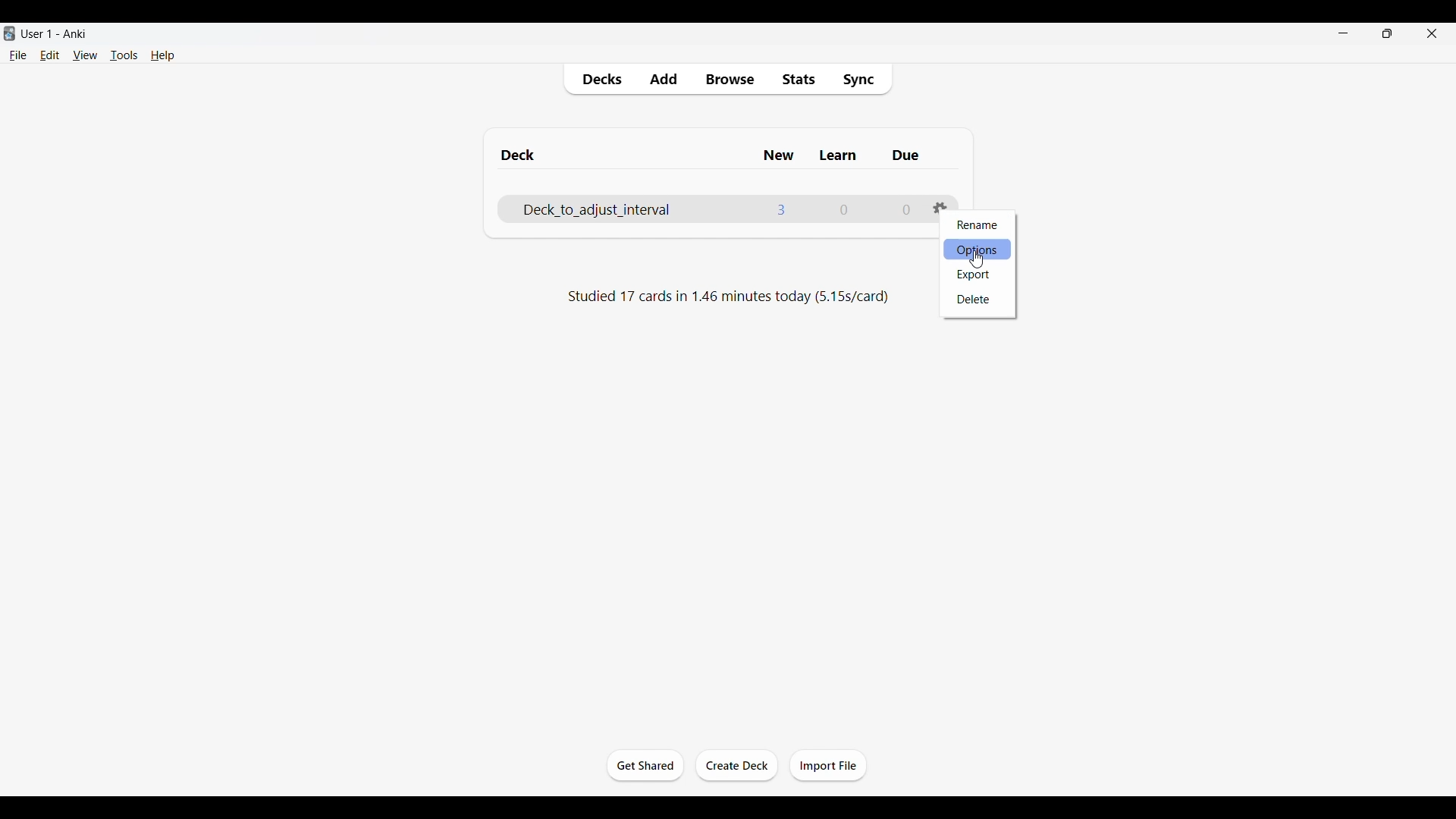 The height and width of the screenshot is (819, 1456). What do you see at coordinates (940, 209) in the screenshot?
I see `Settings` at bounding box center [940, 209].